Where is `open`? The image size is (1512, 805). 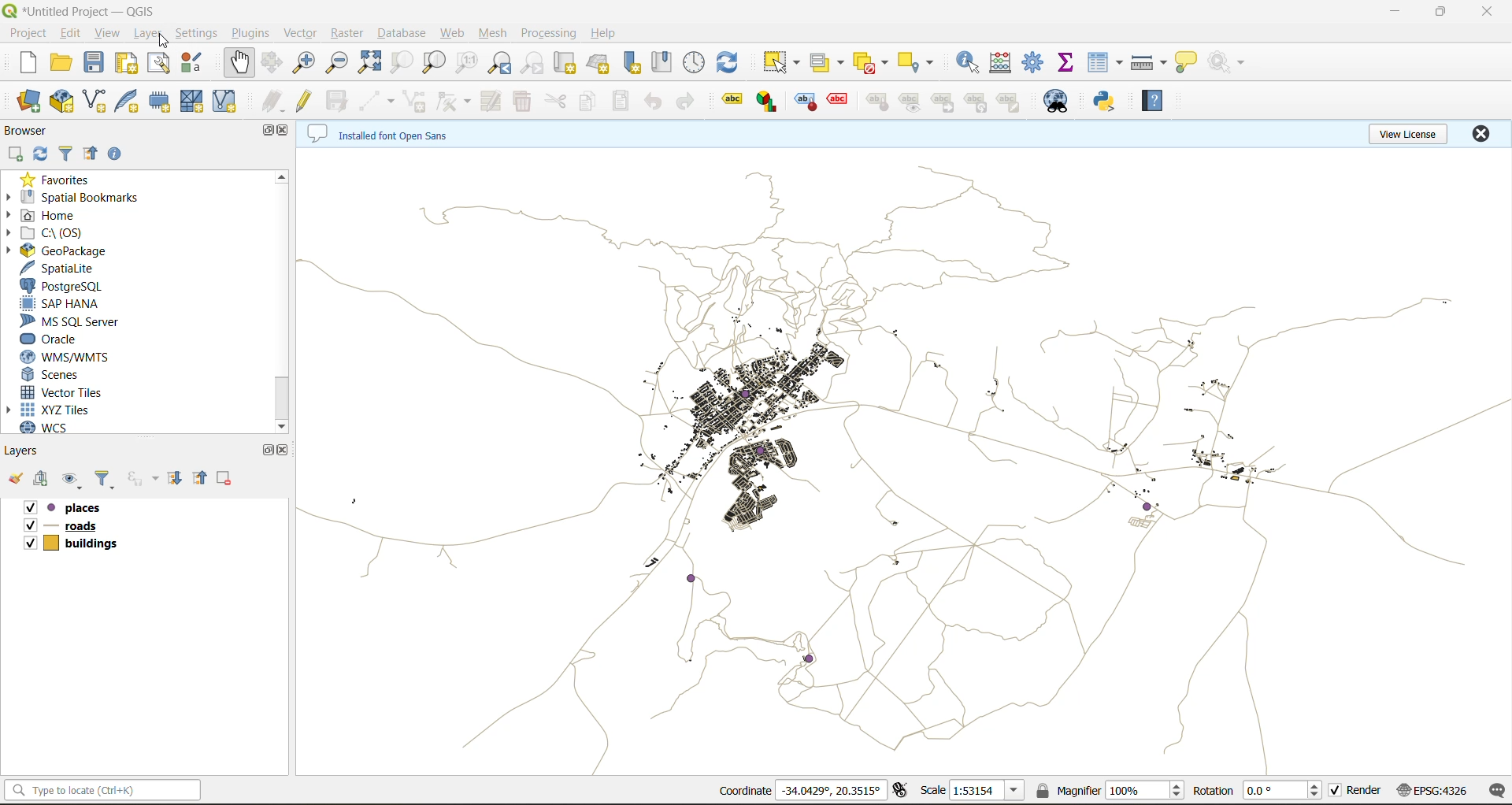 open is located at coordinates (15, 479).